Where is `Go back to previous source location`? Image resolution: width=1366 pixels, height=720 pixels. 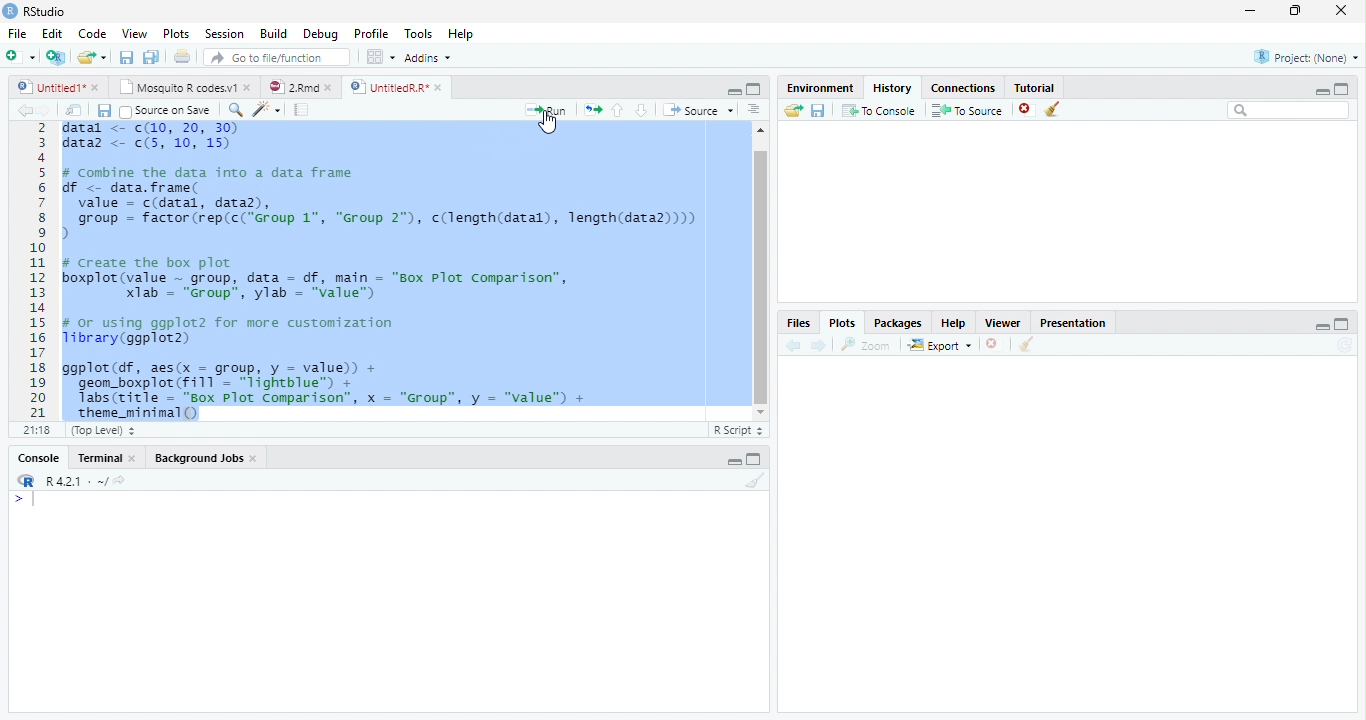
Go back to previous source location is located at coordinates (24, 110).